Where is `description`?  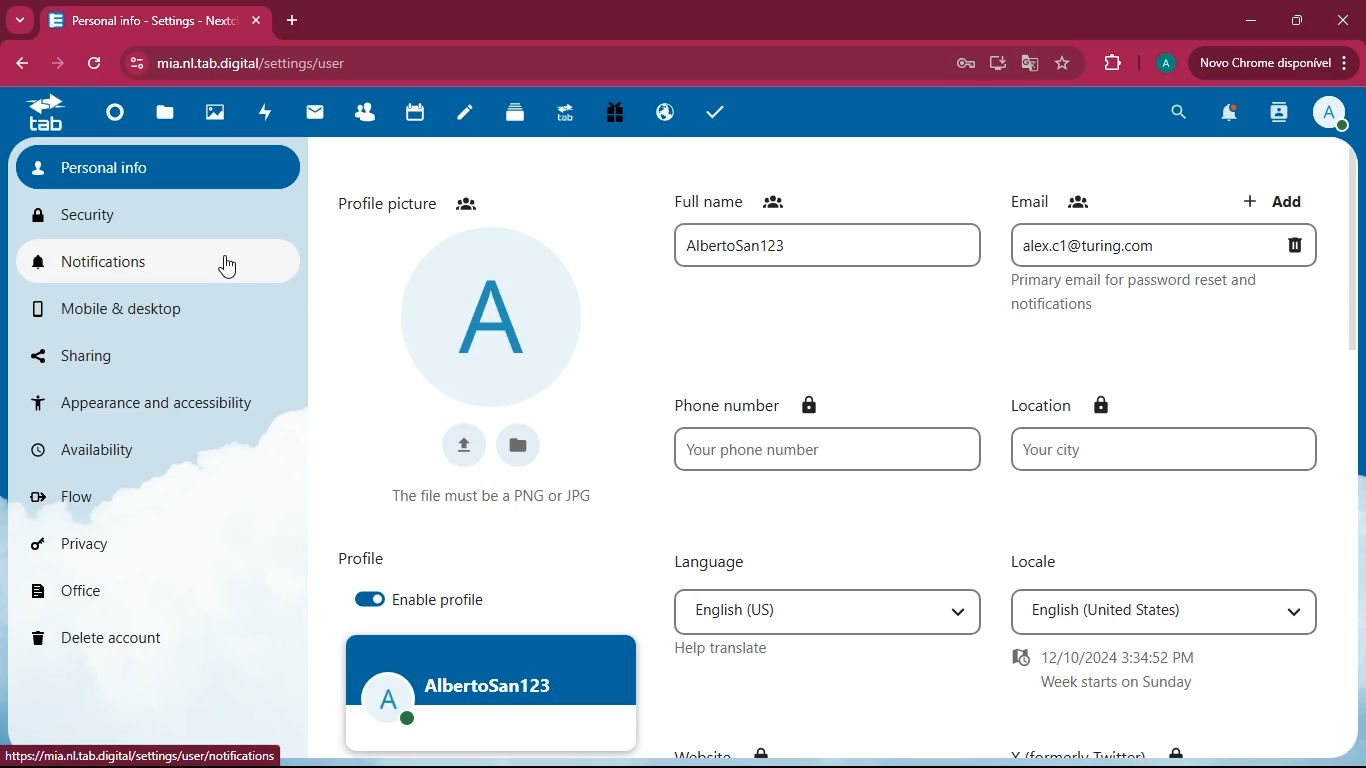
description is located at coordinates (1169, 297).